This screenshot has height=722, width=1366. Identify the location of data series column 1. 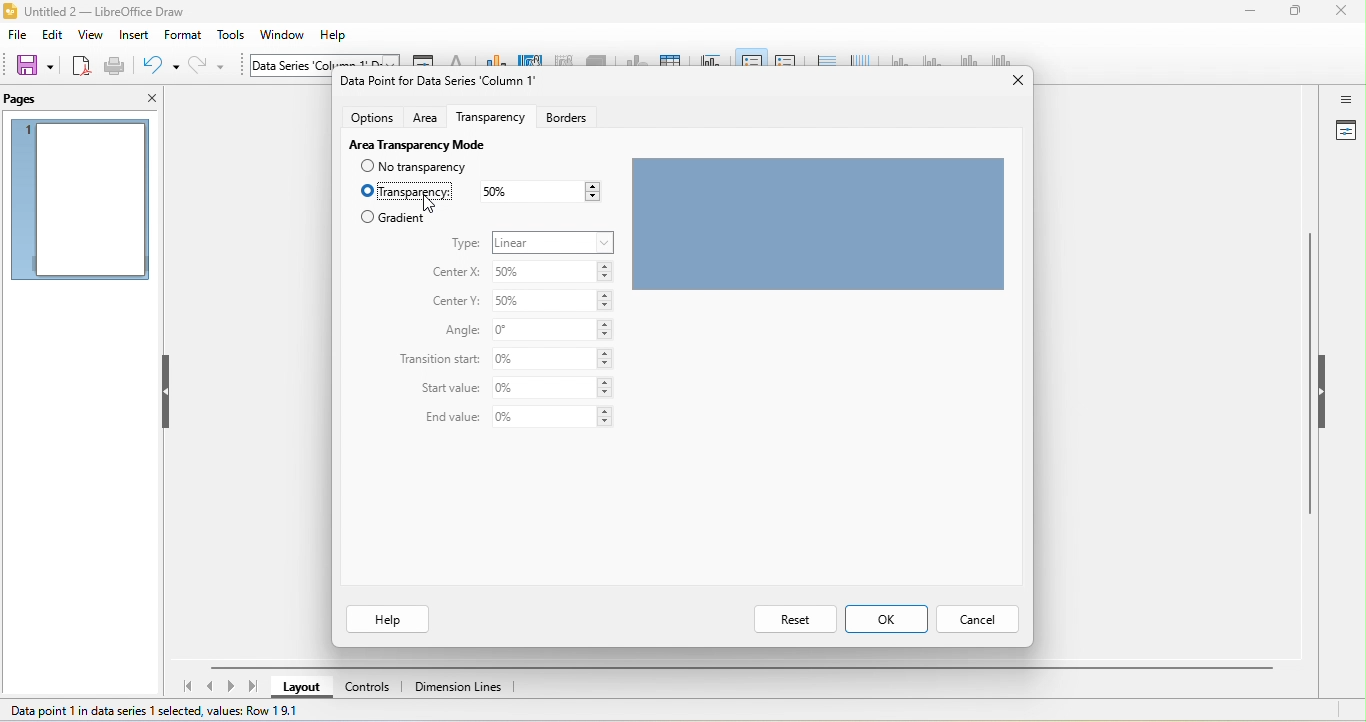
(324, 61).